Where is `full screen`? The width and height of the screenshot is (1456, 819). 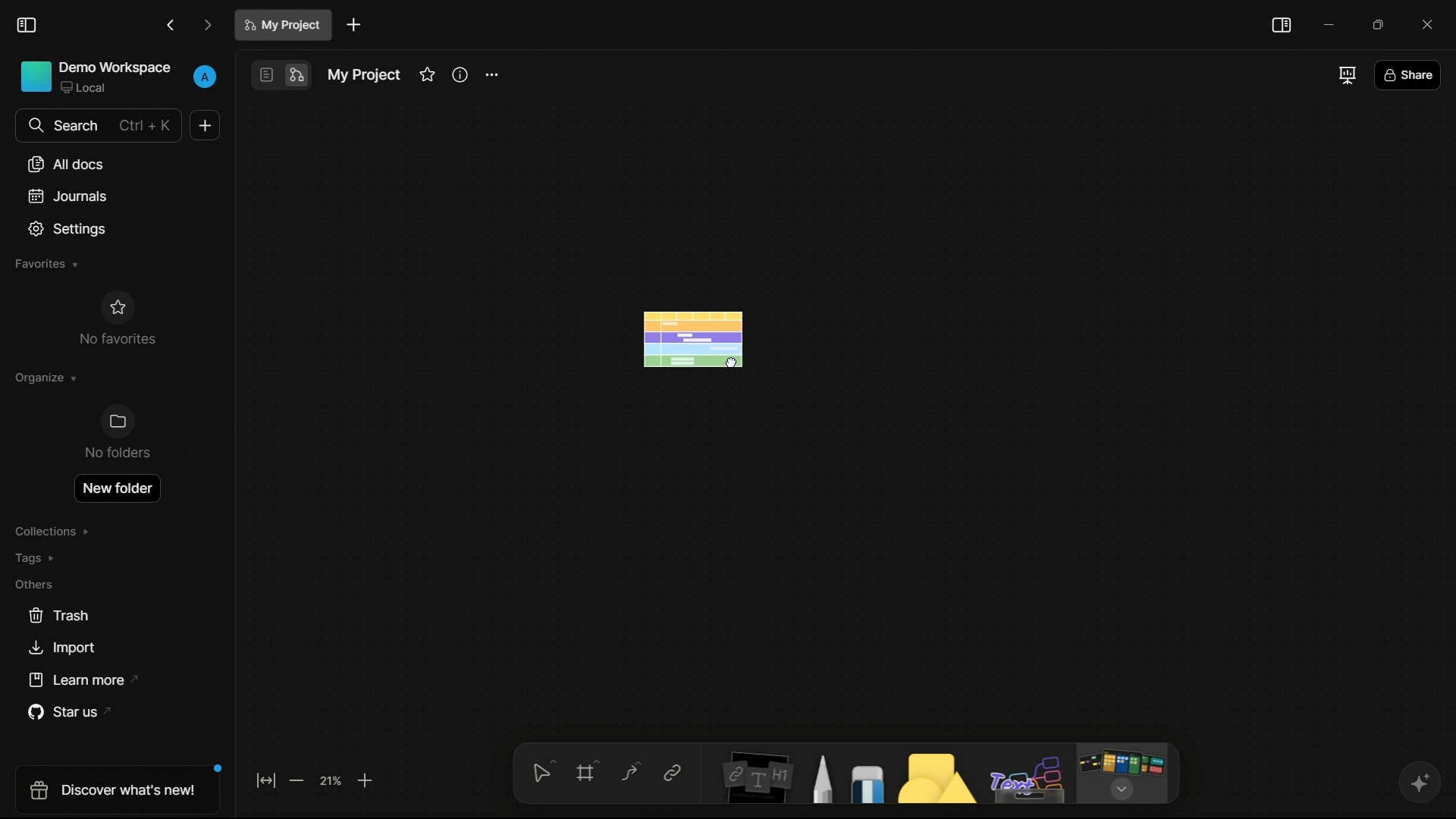 full screen is located at coordinates (1345, 75).